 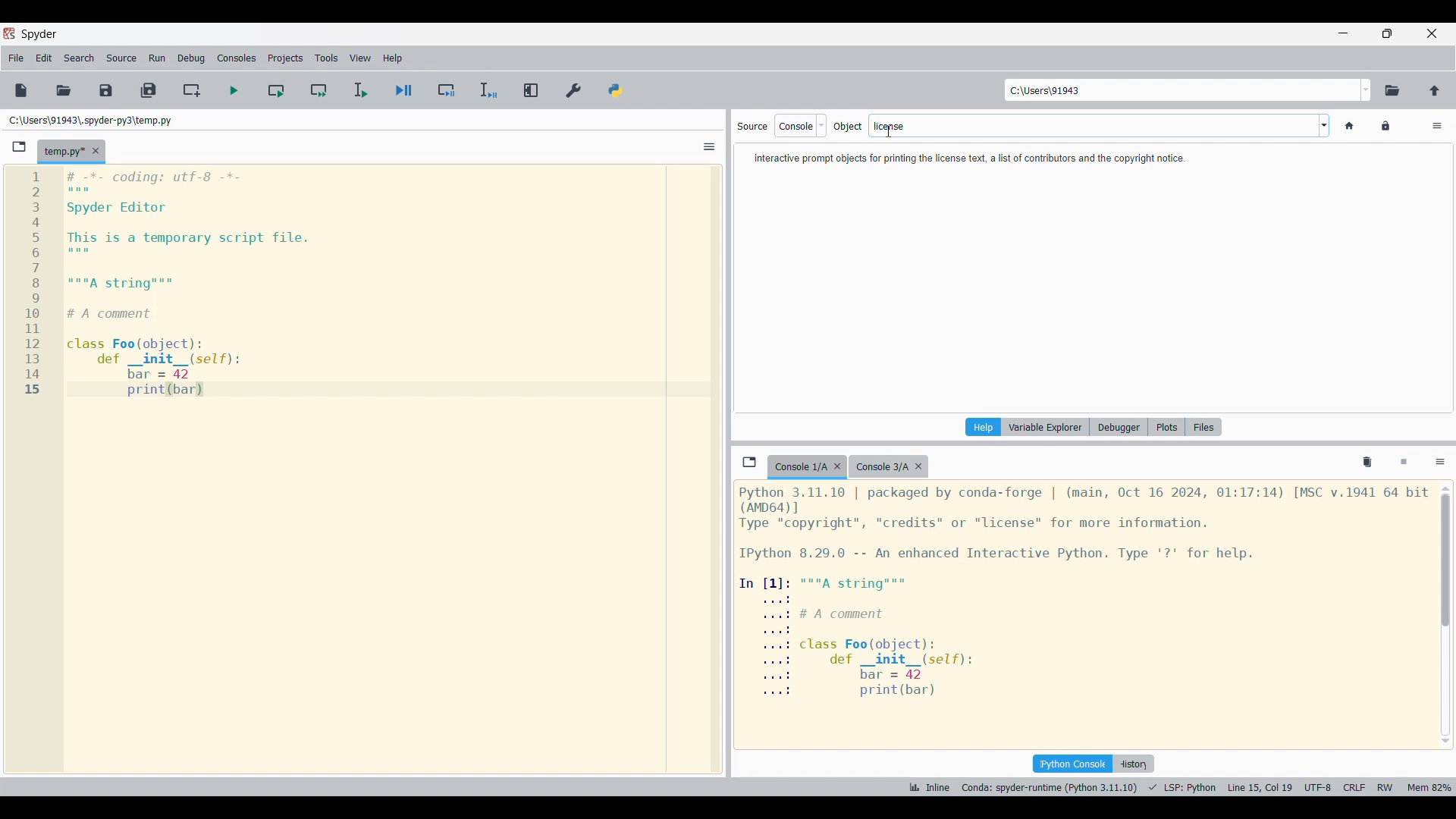 What do you see at coordinates (1185, 786) in the screenshot?
I see `LSP python` at bounding box center [1185, 786].